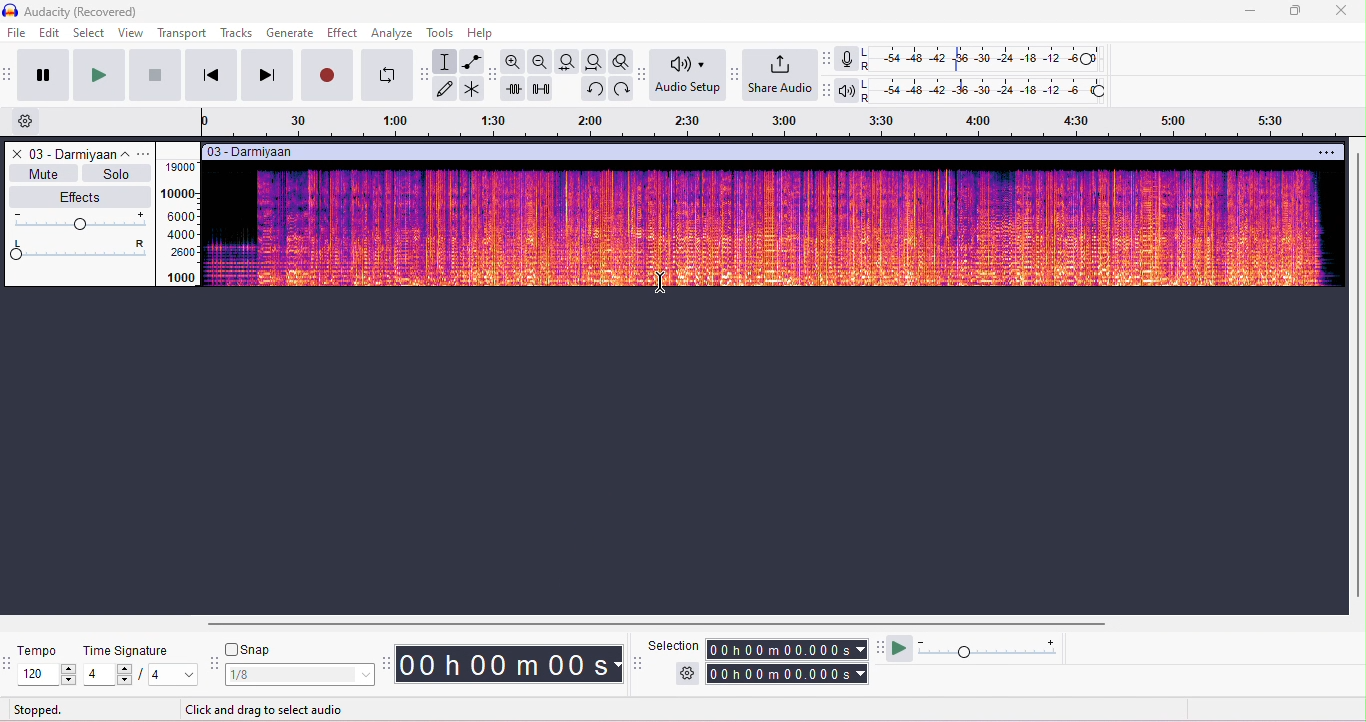  I want to click on effects, so click(79, 197).